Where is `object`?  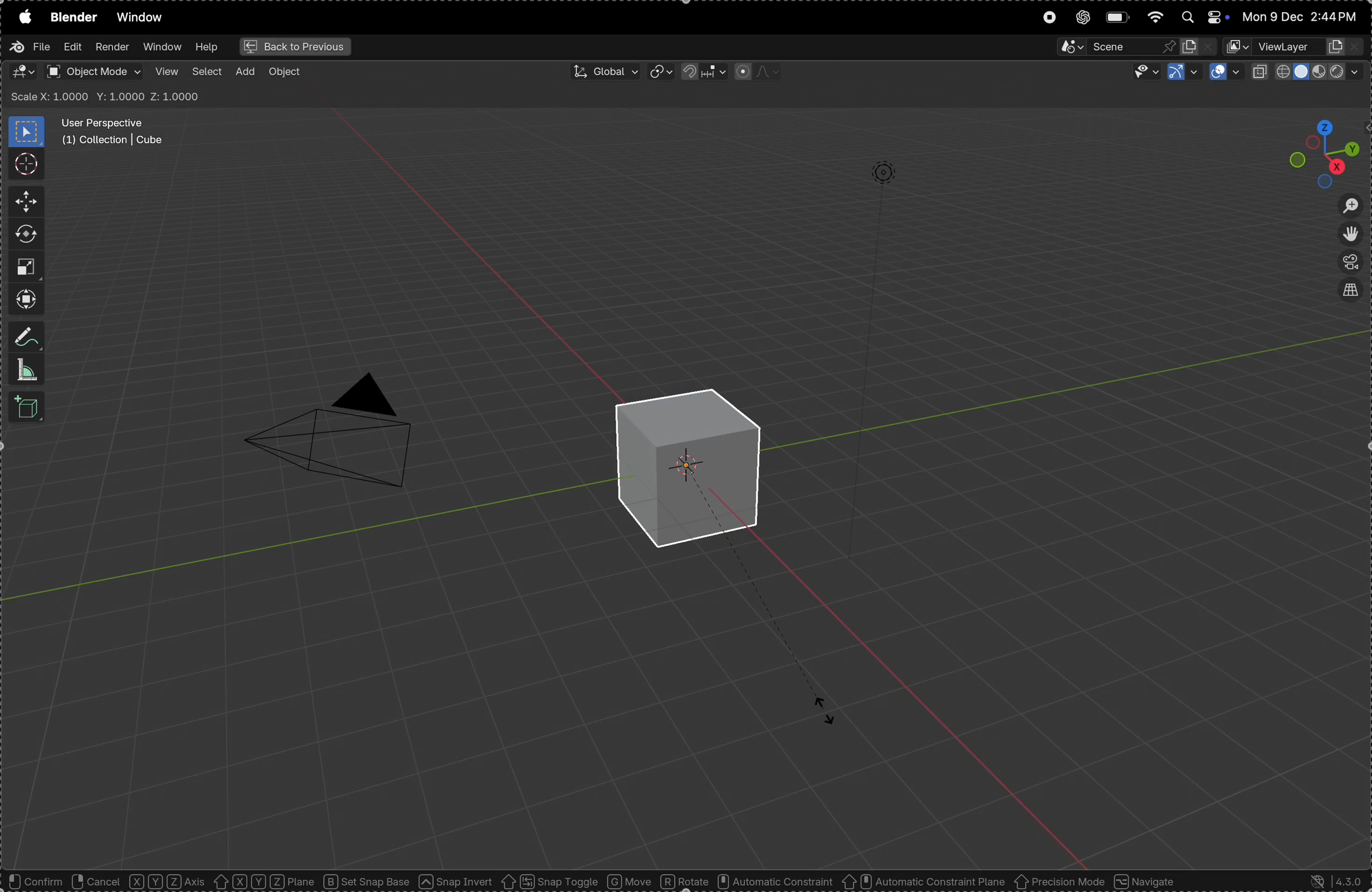
object is located at coordinates (288, 73).